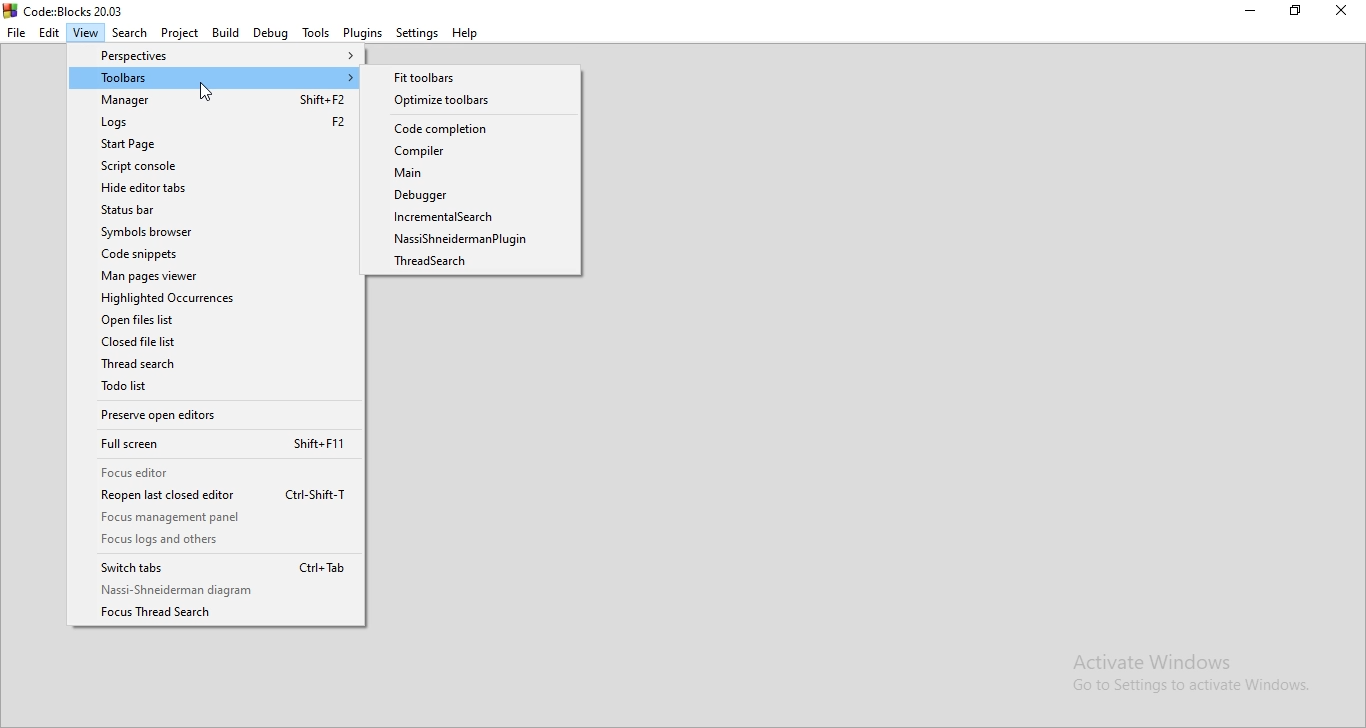  I want to click on Focus Thread Search, so click(218, 614).